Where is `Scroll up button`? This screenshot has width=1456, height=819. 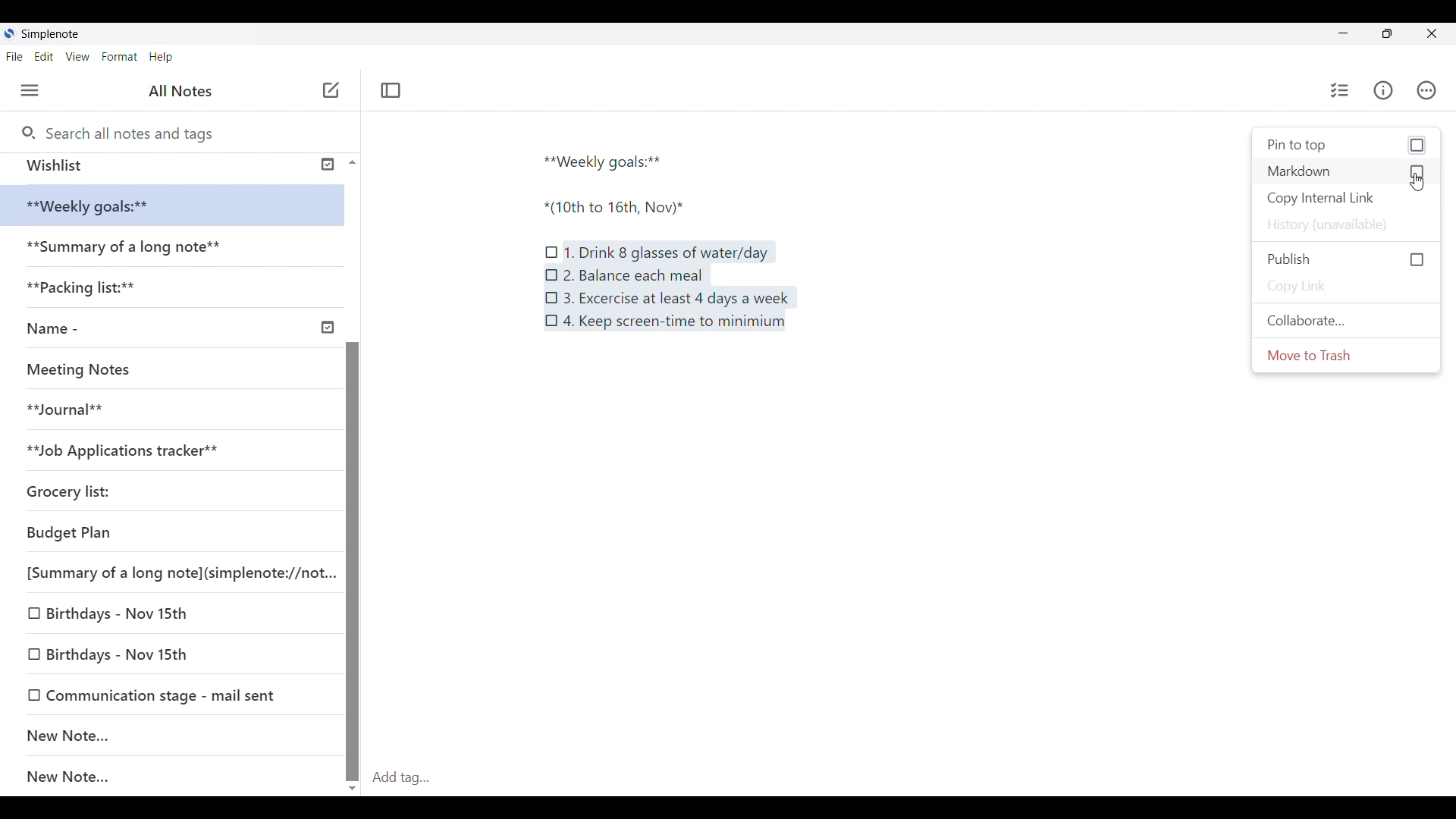 Scroll up button is located at coordinates (348, 162).